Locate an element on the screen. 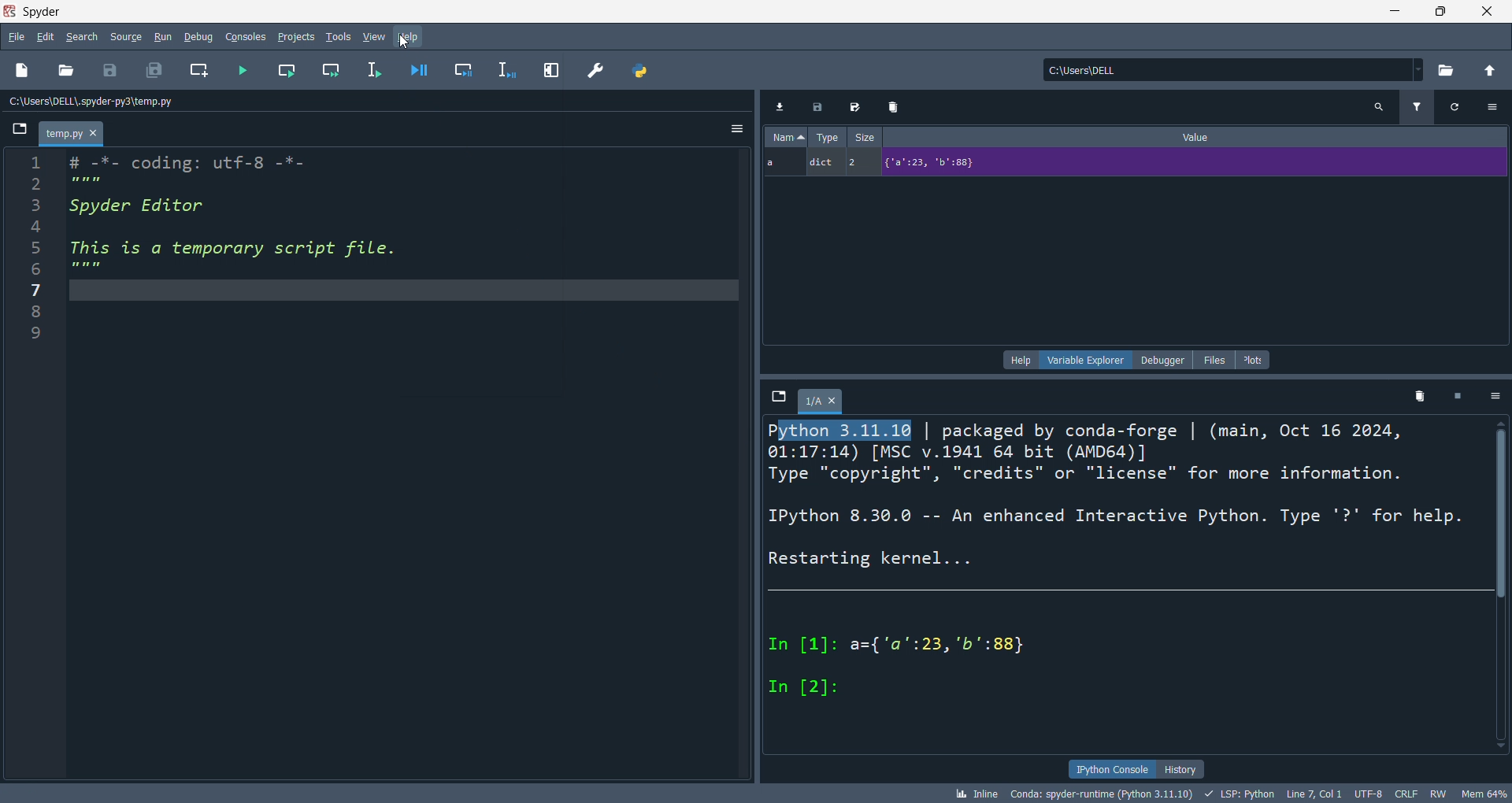 The height and width of the screenshot is (803, 1512). debug file is located at coordinates (420, 72).